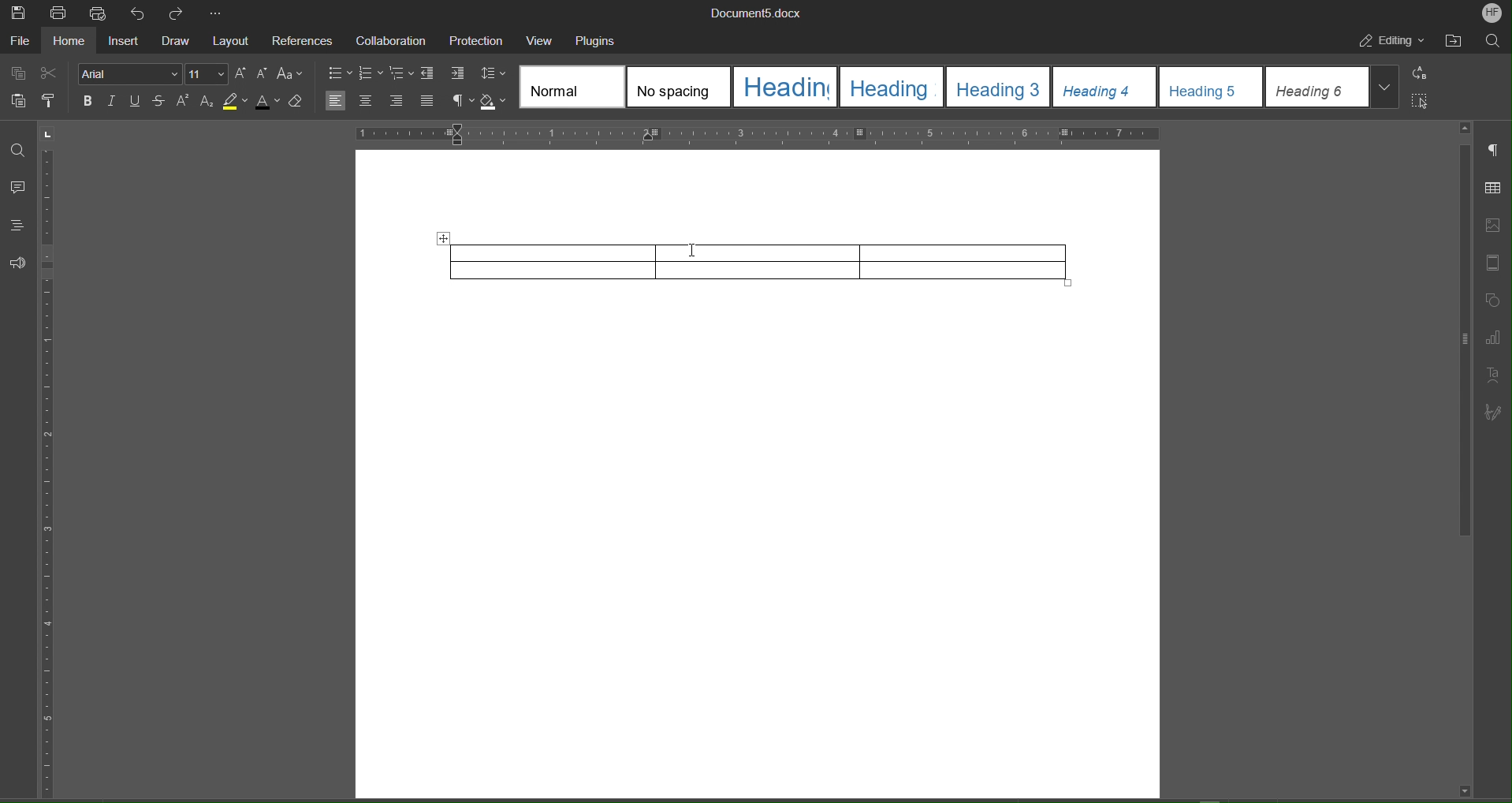 The image size is (1512, 803). I want to click on Draw, so click(180, 43).